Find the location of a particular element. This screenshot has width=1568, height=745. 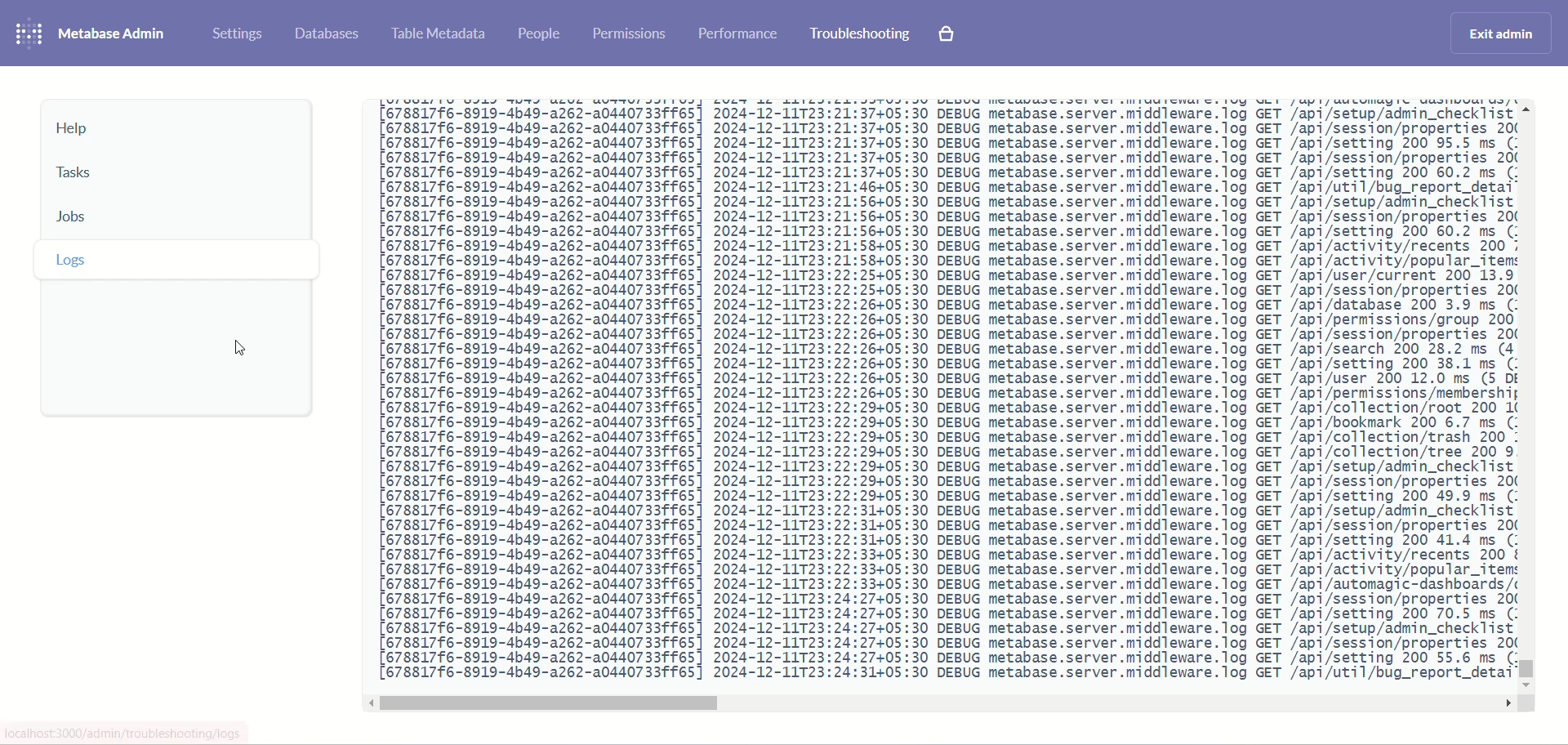

permissions is located at coordinates (628, 33).